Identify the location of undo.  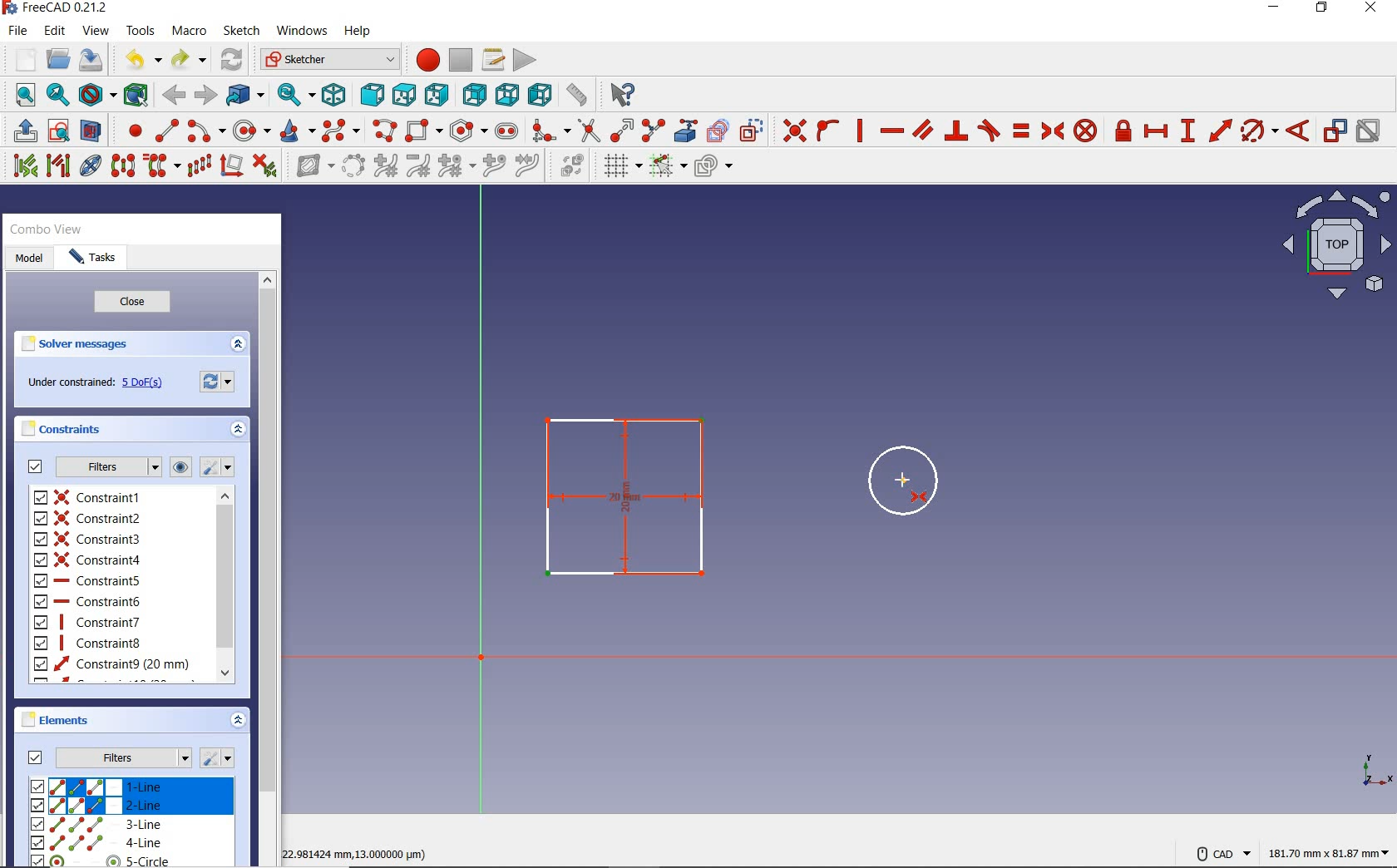
(140, 58).